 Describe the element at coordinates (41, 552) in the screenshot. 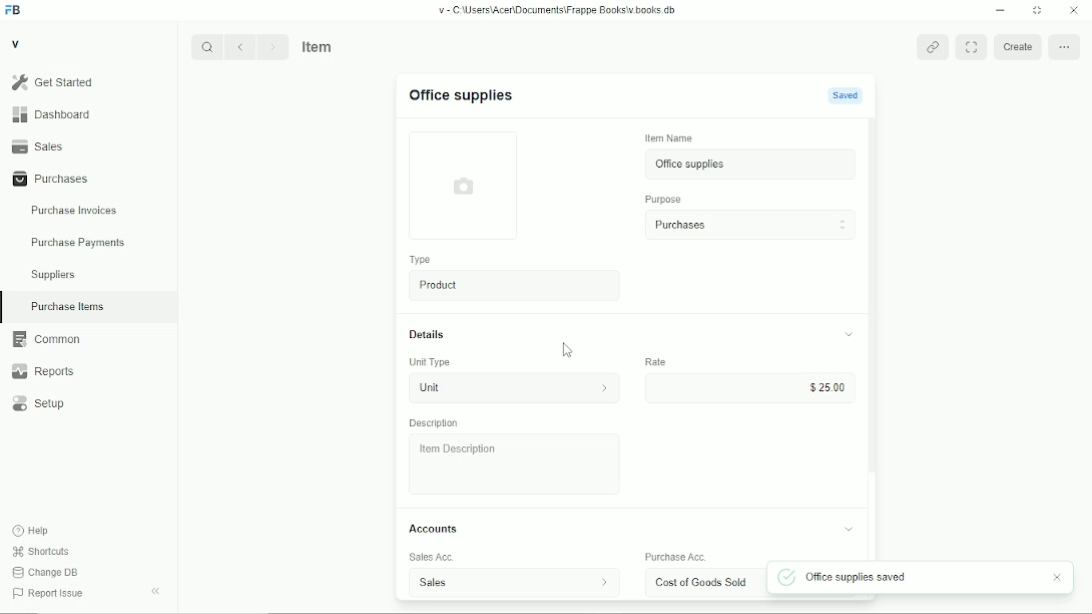

I see `shortcuts` at that location.